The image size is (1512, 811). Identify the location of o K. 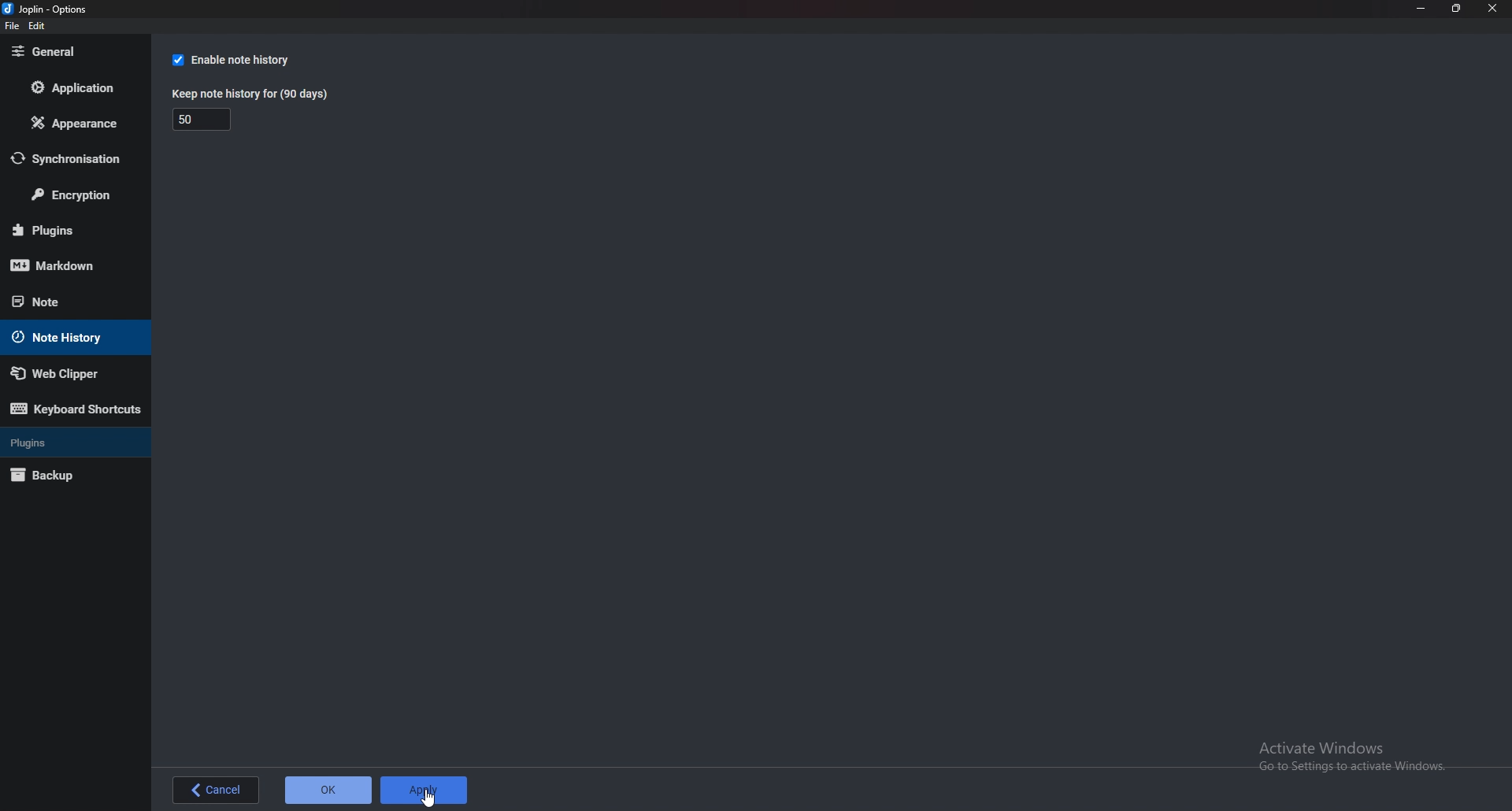
(329, 789).